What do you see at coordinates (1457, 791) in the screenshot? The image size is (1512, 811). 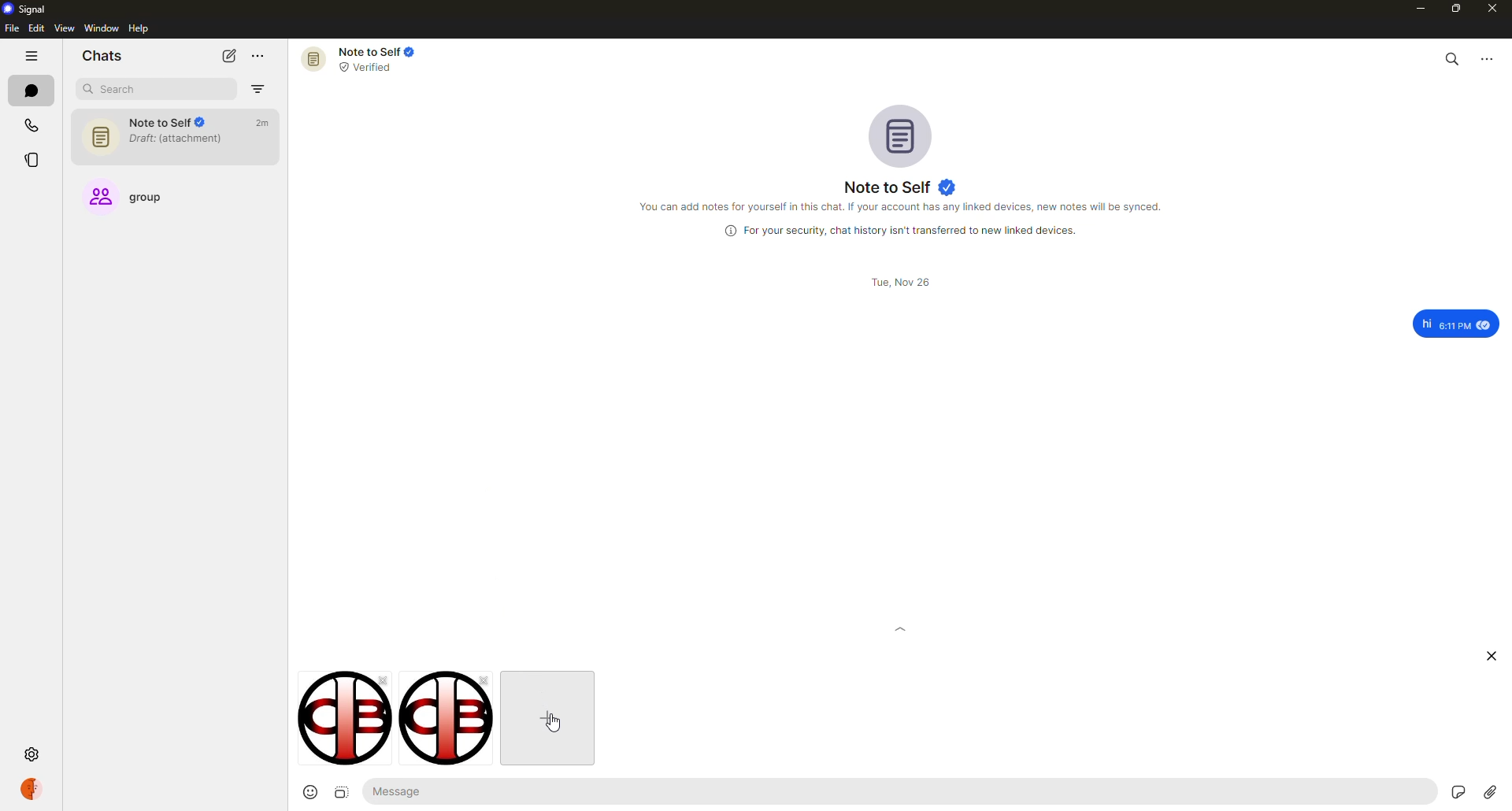 I see `stickers` at bounding box center [1457, 791].